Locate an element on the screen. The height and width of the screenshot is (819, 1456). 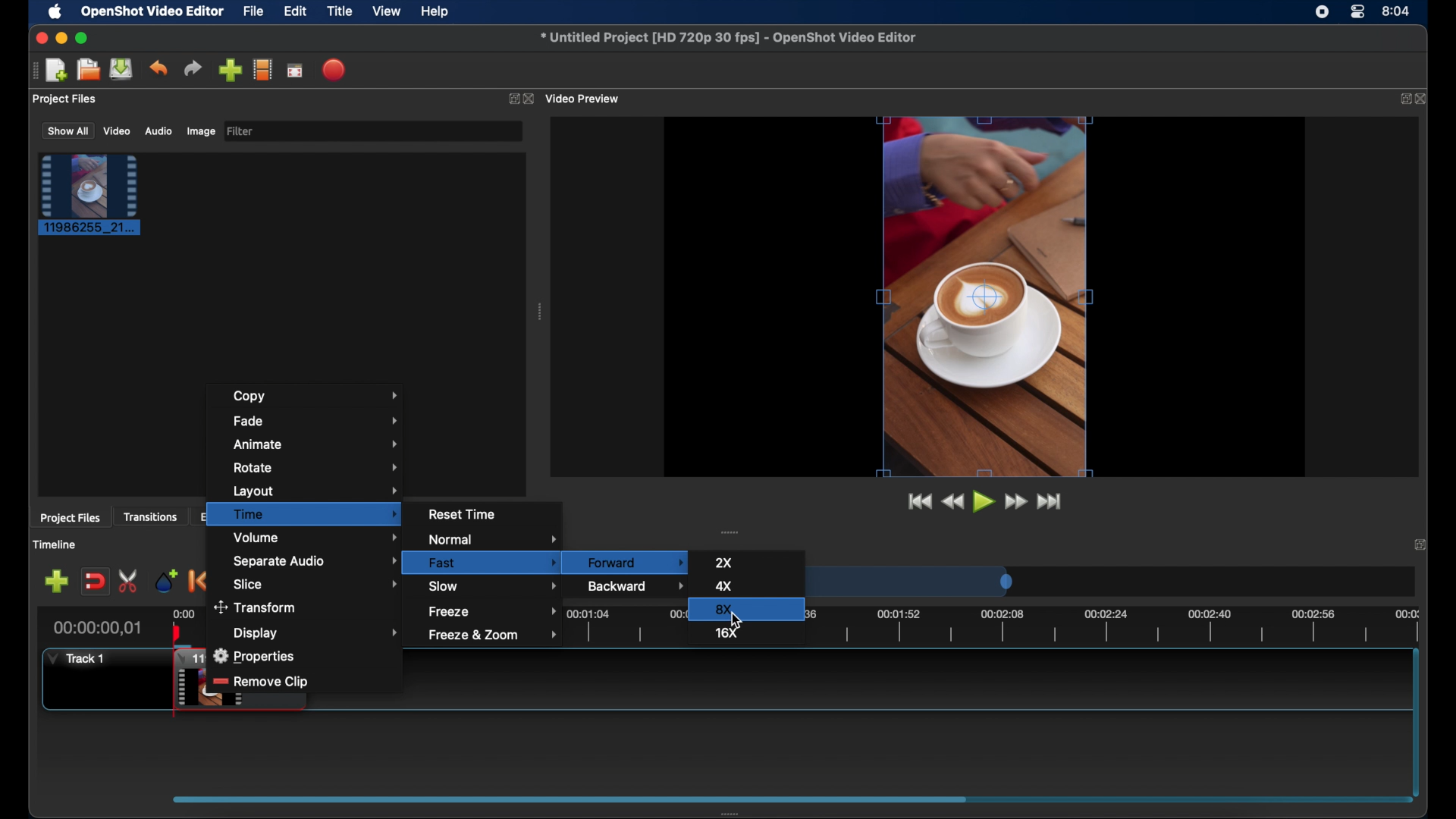
disable  snapping is located at coordinates (94, 580).